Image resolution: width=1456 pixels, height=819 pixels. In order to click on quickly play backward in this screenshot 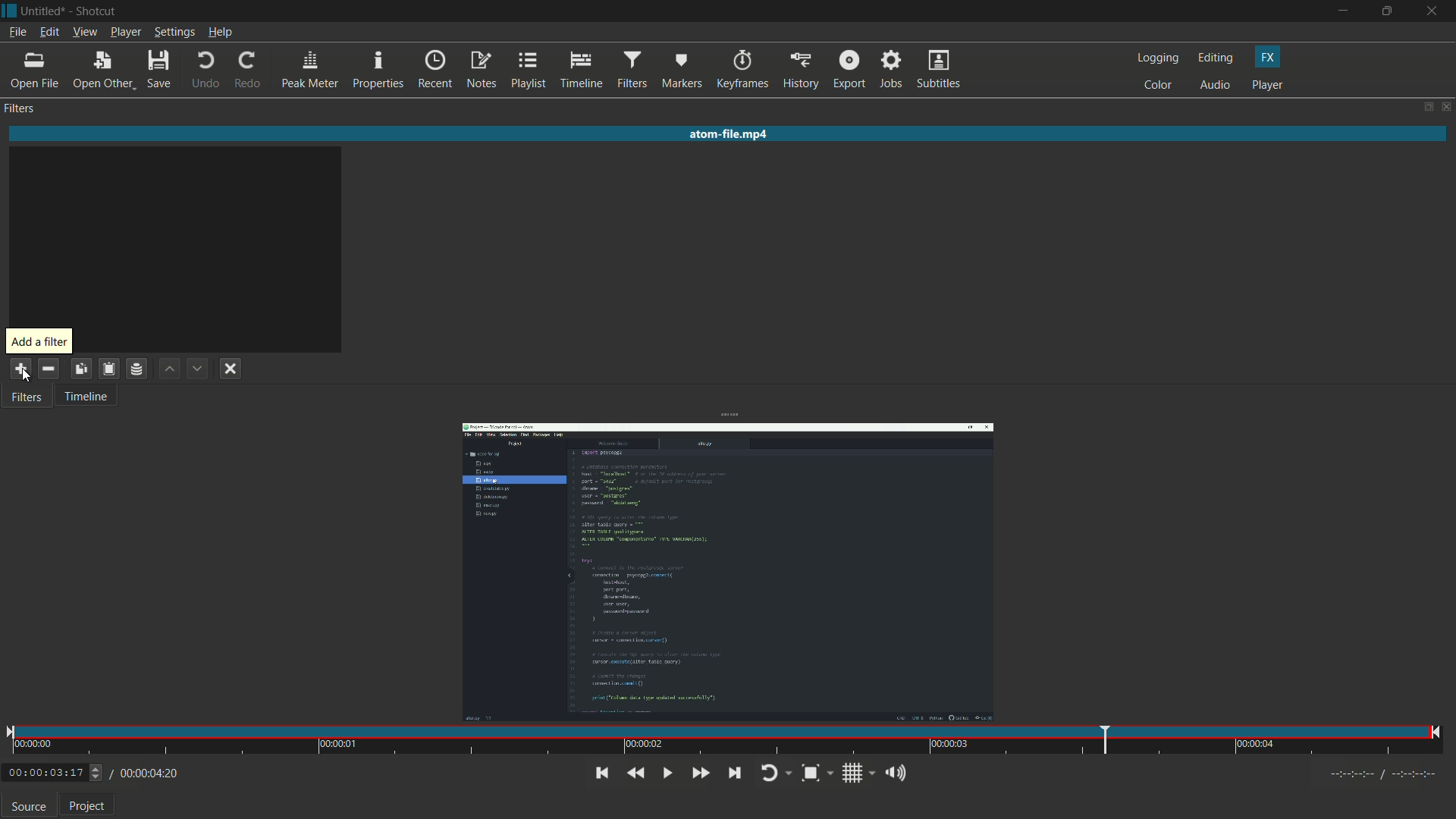, I will do `click(635, 773)`.